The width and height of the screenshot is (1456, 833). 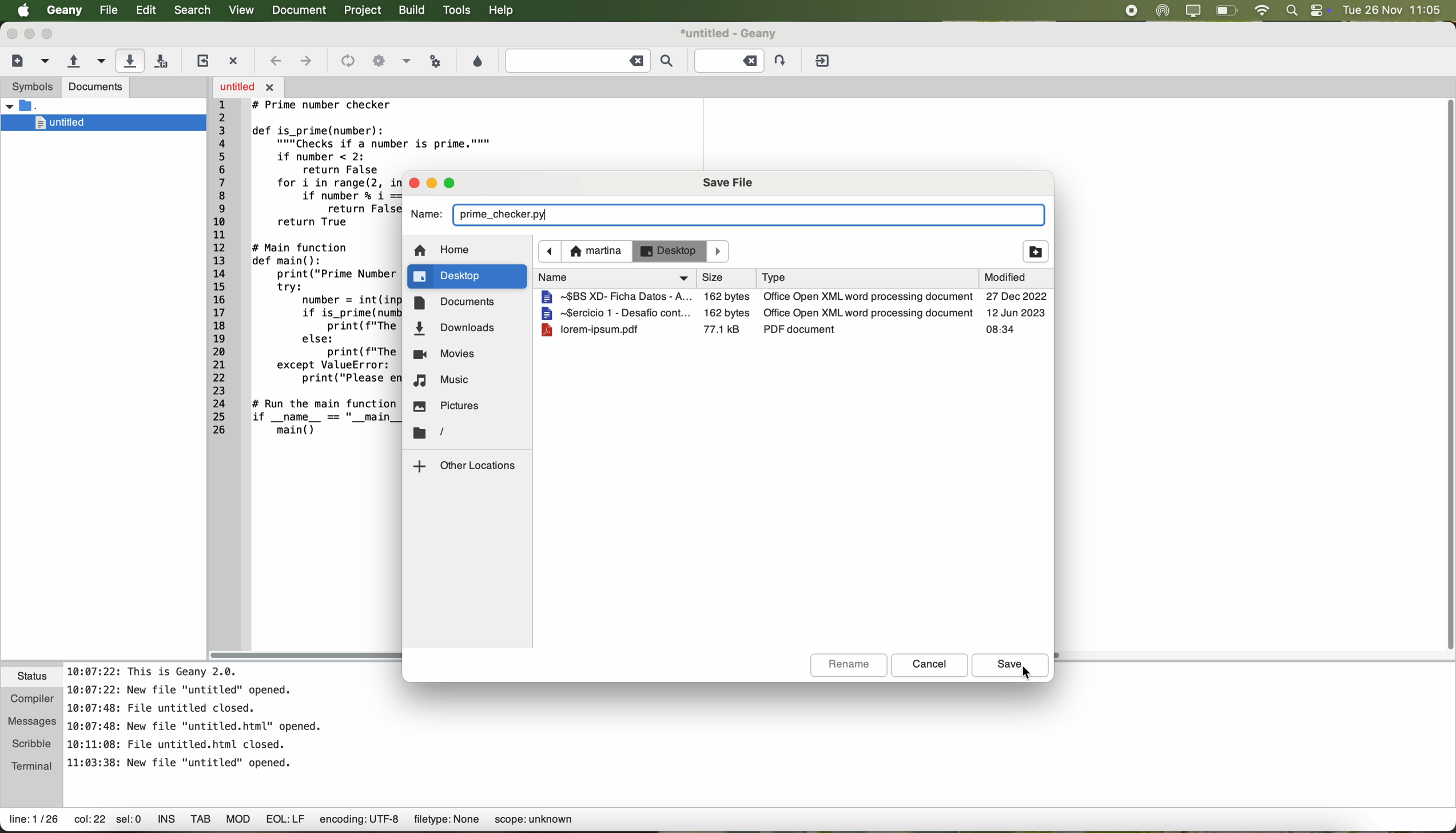 What do you see at coordinates (308, 280) in the screenshot?
I see `code` at bounding box center [308, 280].